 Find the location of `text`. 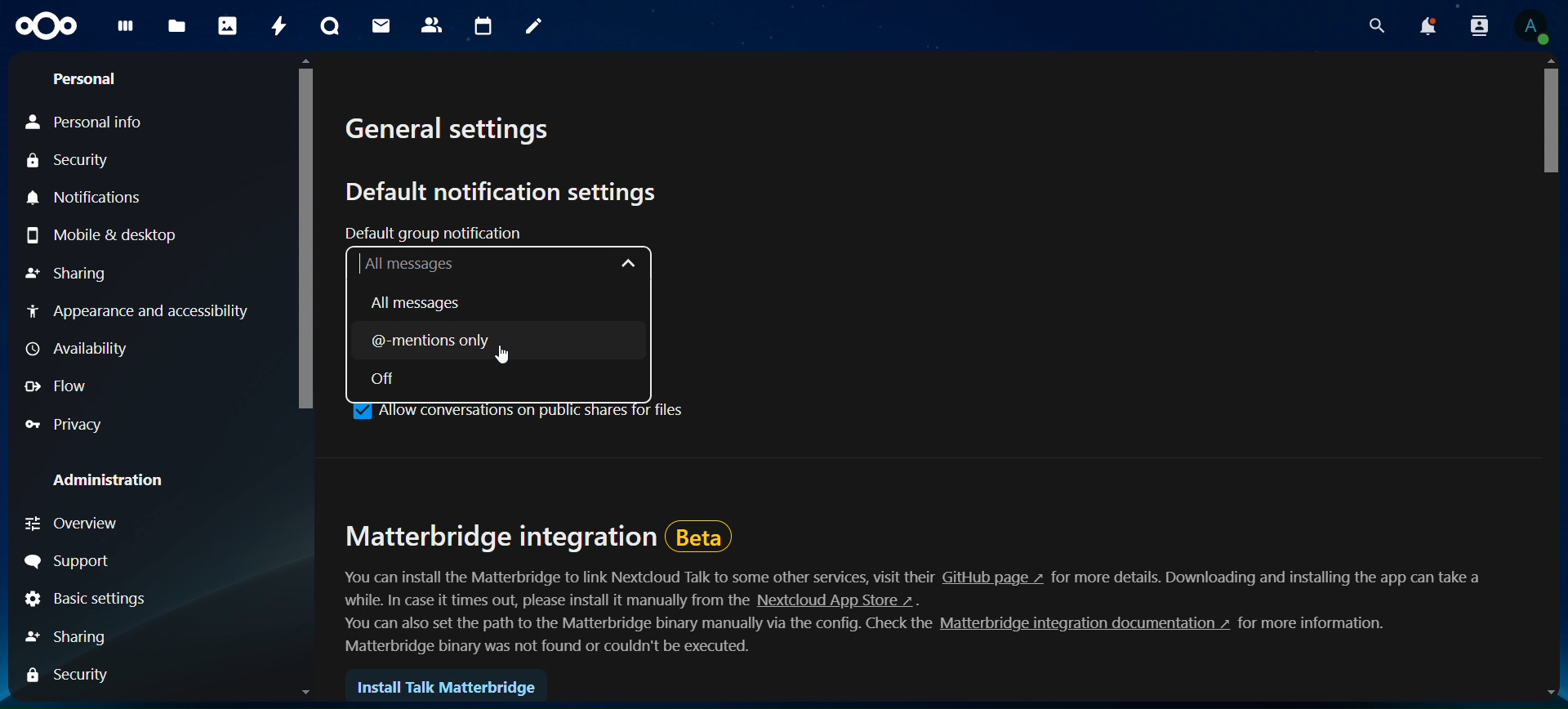

text is located at coordinates (629, 626).